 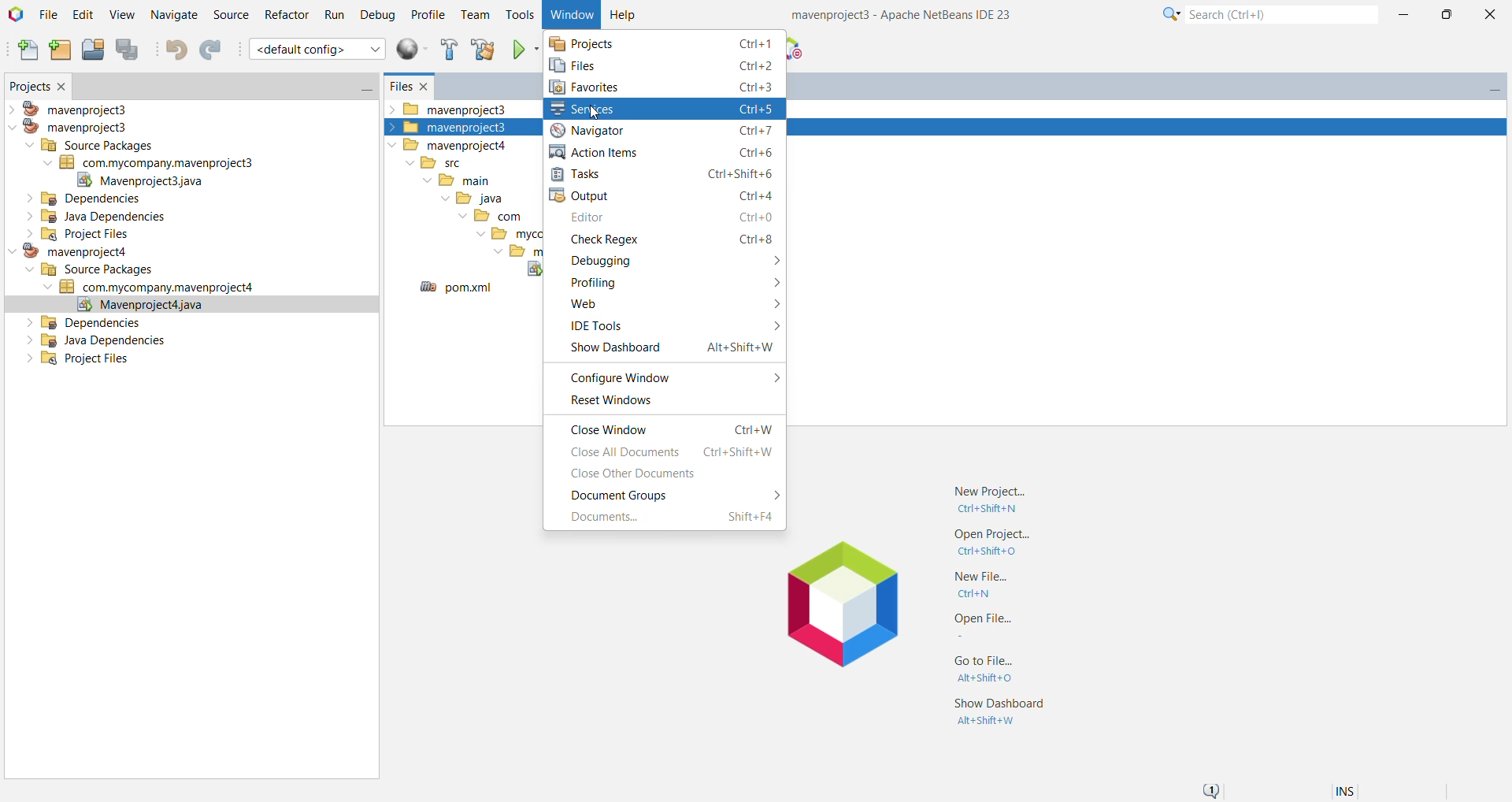 I want to click on Application Logo, so click(x=843, y=607).